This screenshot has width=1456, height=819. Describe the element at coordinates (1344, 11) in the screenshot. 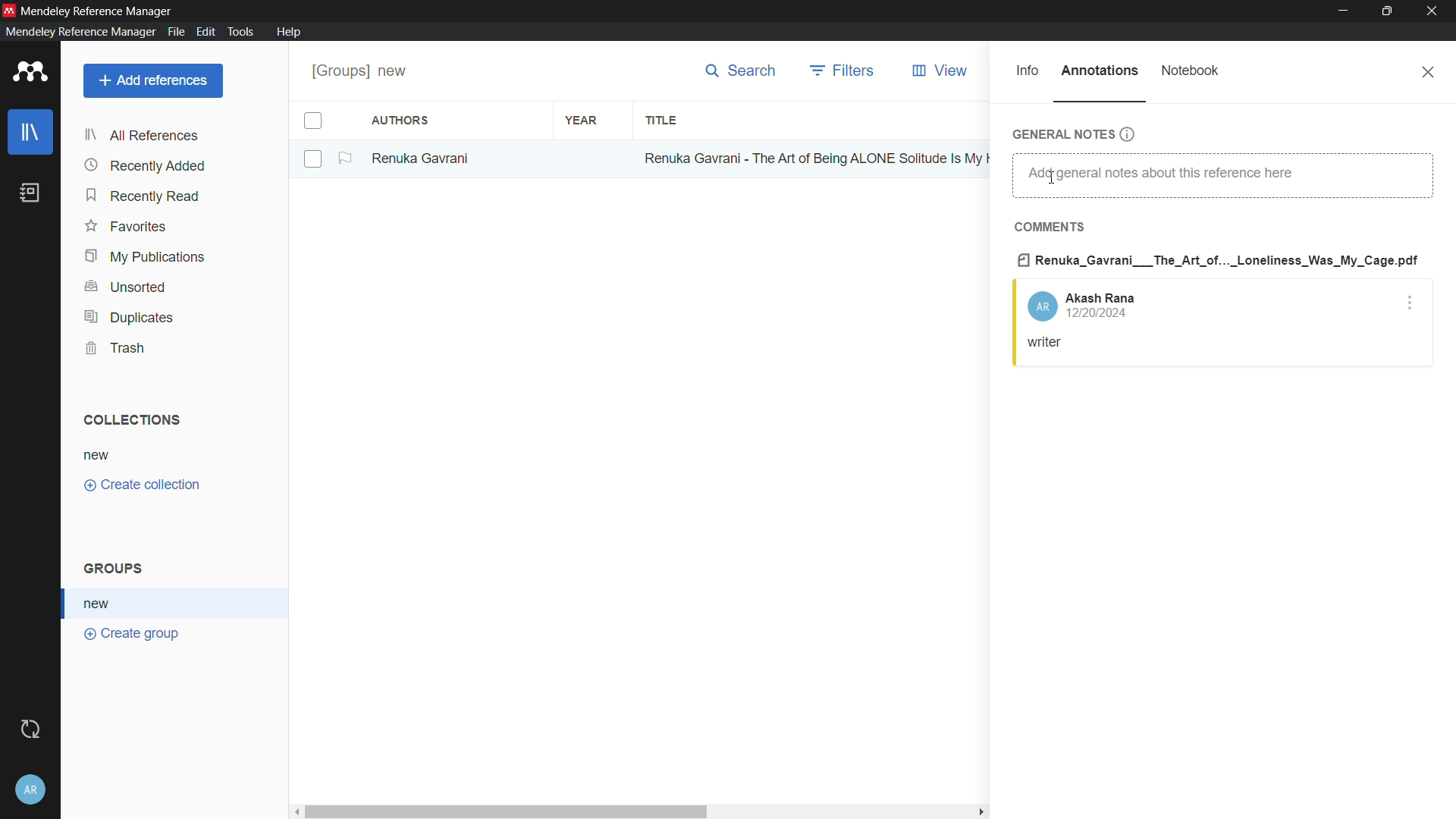

I see `minimize` at that location.